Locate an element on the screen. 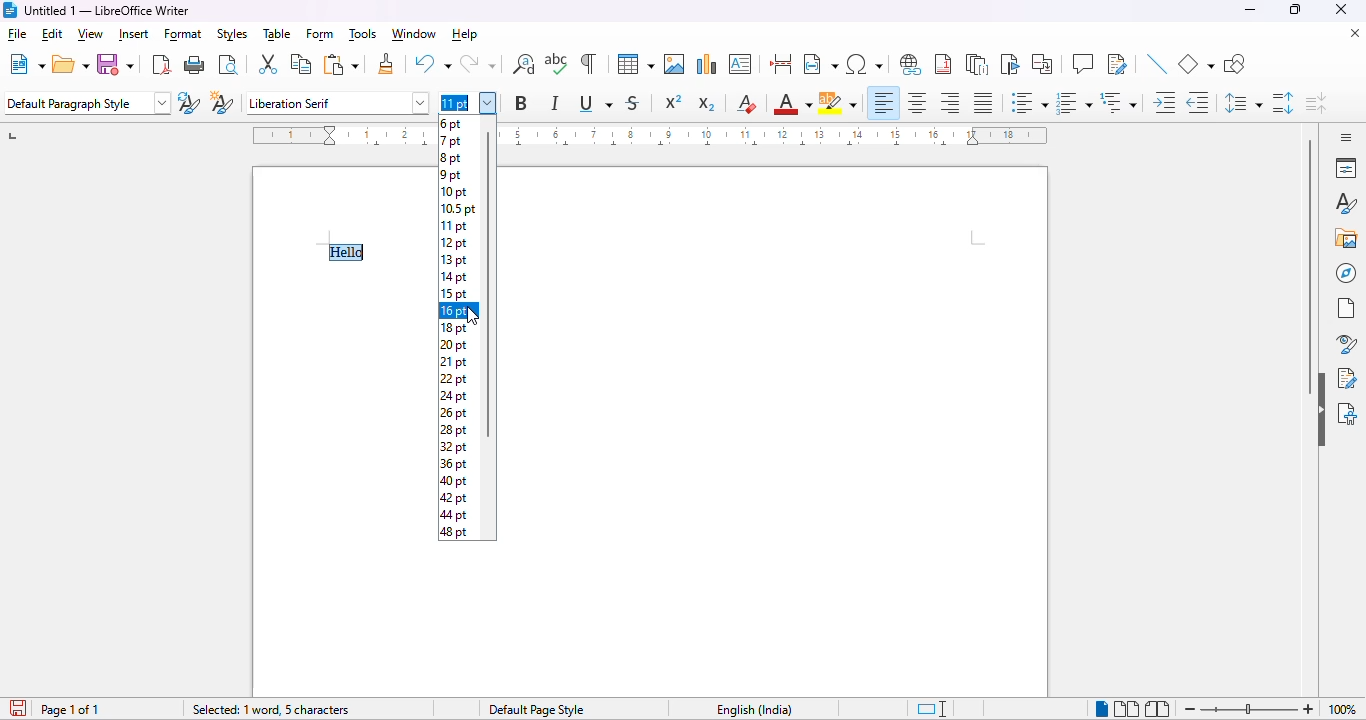 The height and width of the screenshot is (720, 1366). print is located at coordinates (196, 65).